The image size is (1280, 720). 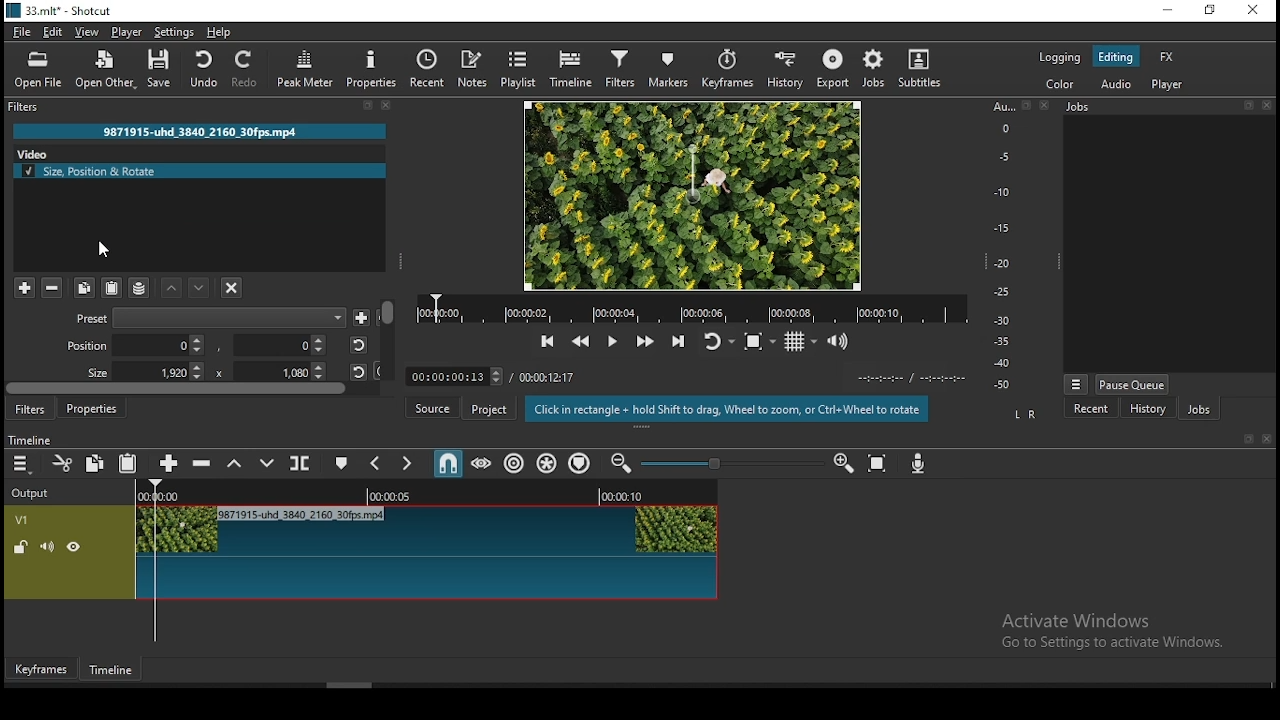 I want to click on mouse pointer, so click(x=96, y=246).